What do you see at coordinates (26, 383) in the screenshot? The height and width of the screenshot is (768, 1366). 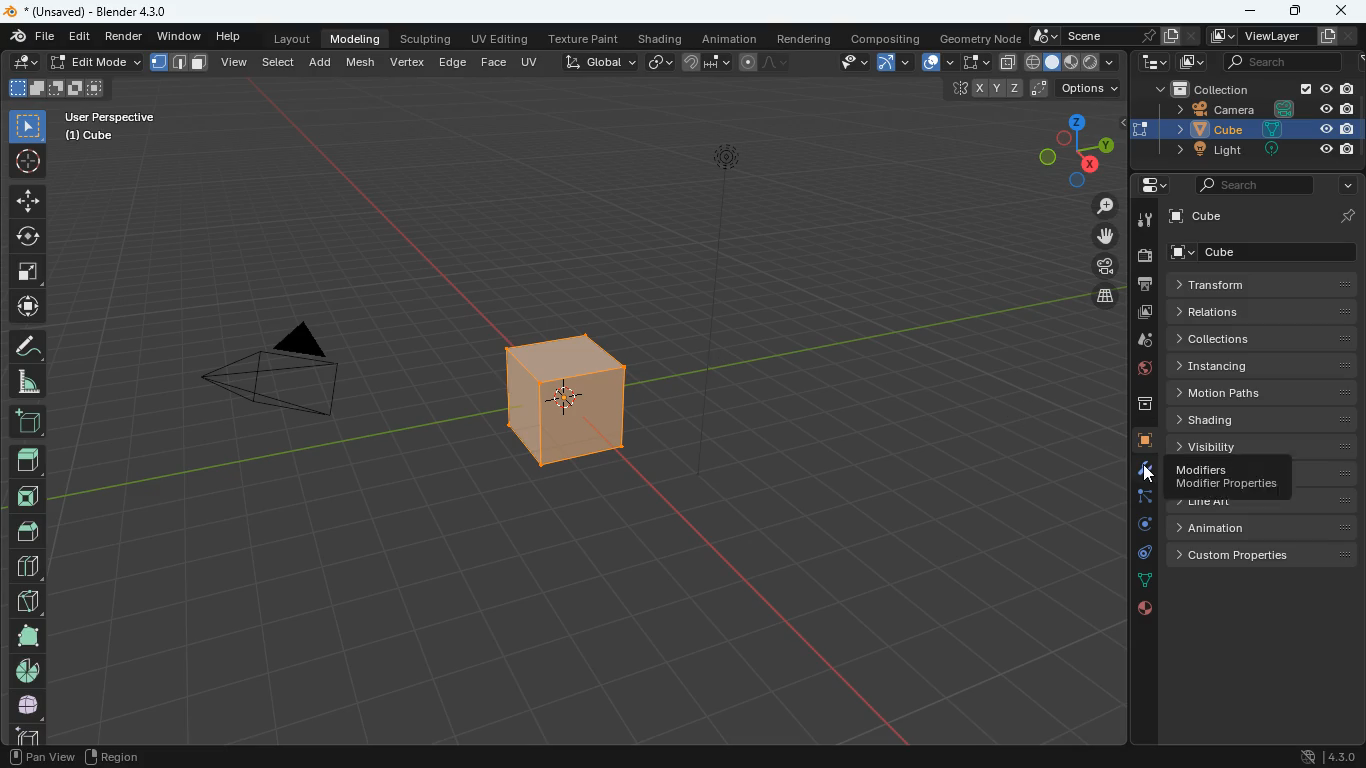 I see `angle` at bounding box center [26, 383].